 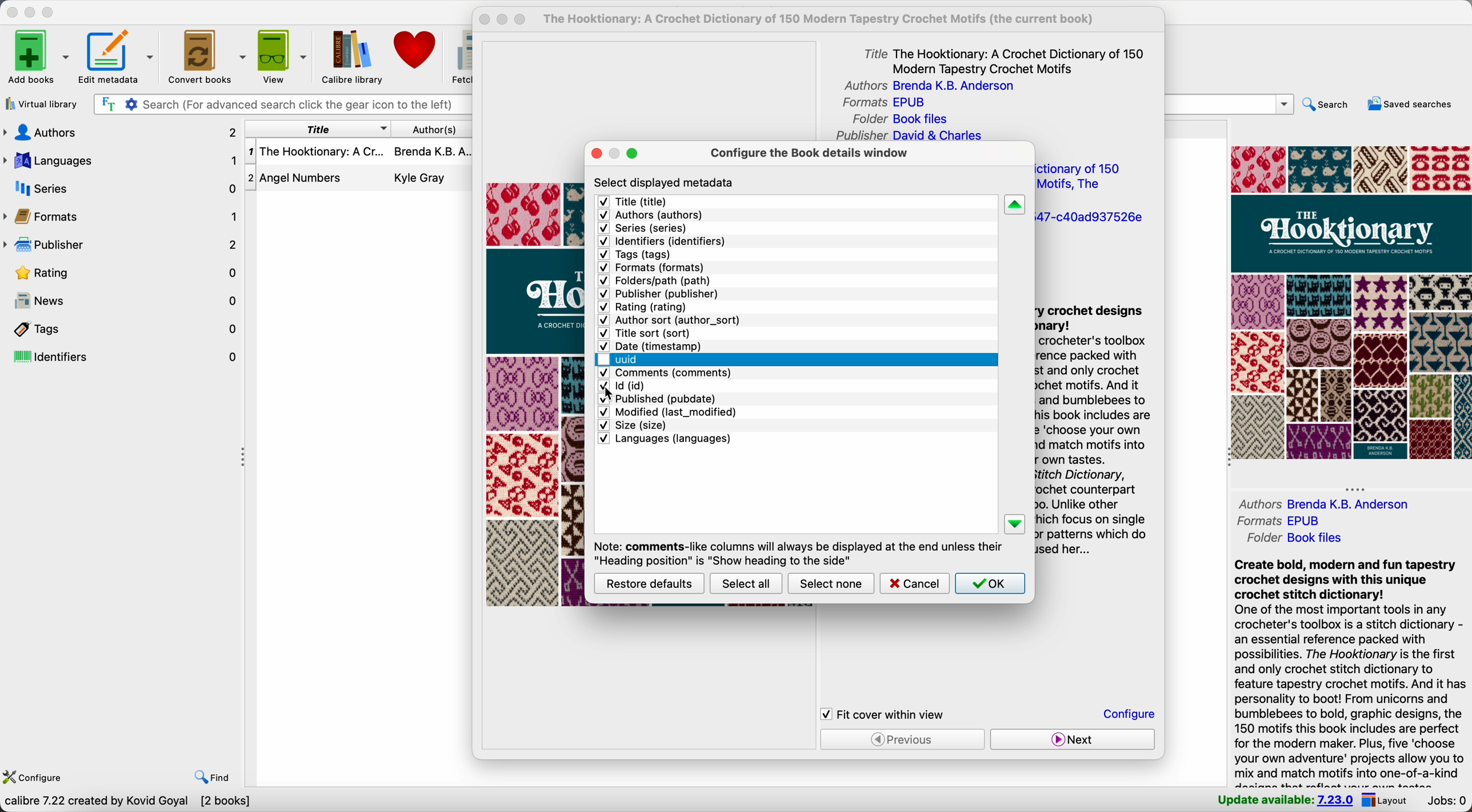 I want to click on close popup, so click(x=485, y=19).